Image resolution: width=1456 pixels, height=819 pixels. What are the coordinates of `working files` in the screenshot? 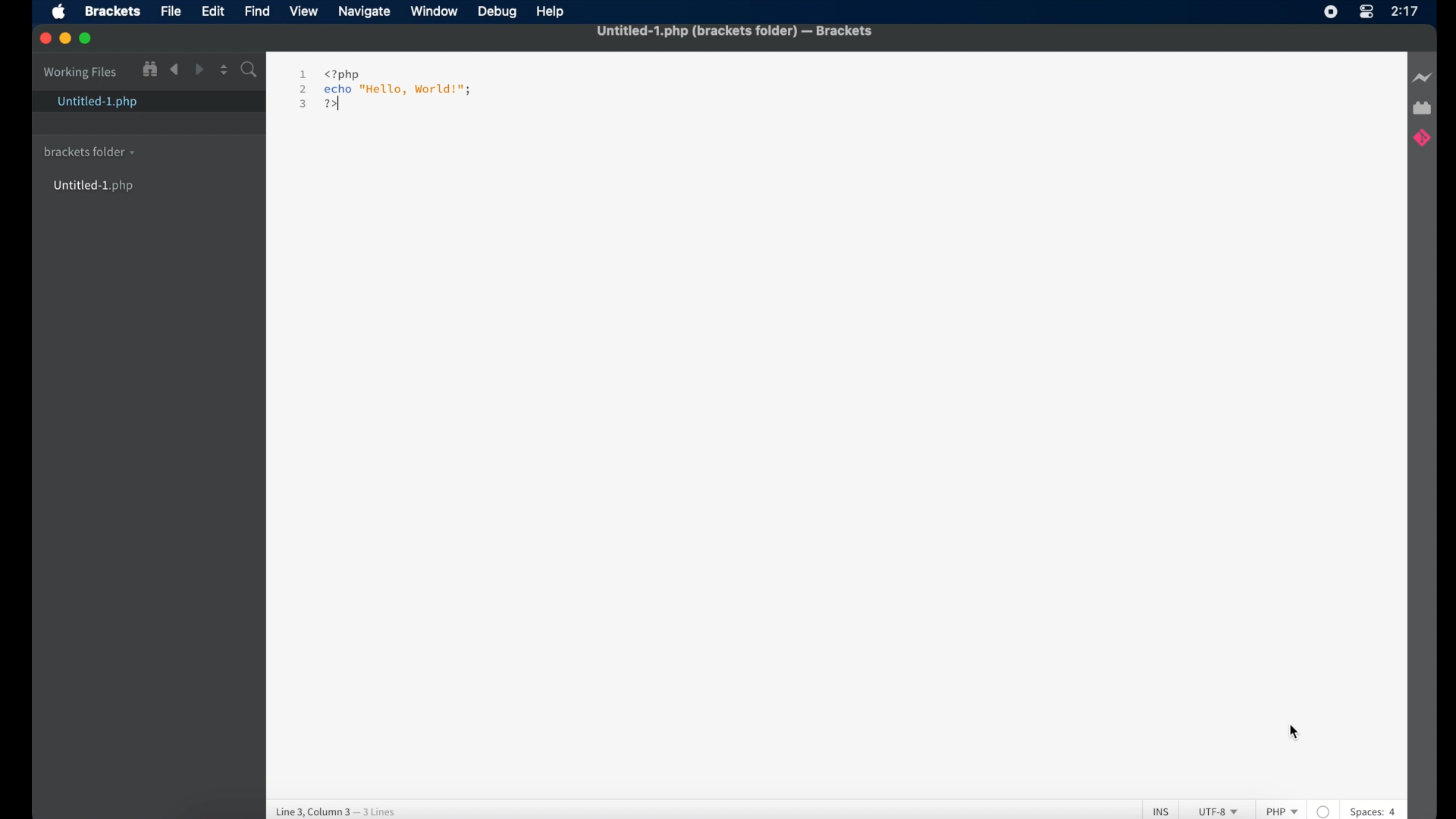 It's located at (81, 74).